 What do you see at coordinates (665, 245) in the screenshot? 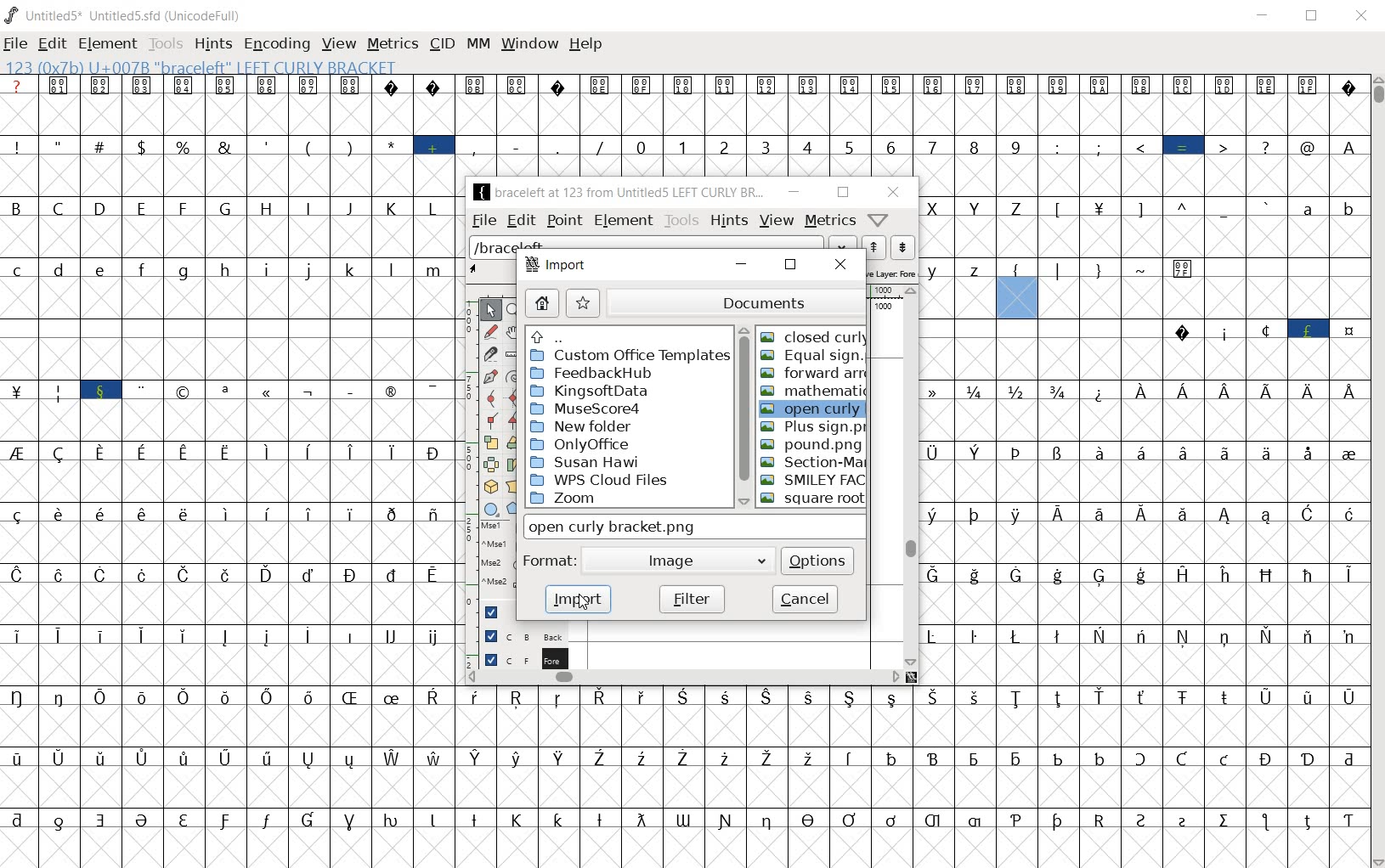
I see `load word list` at bounding box center [665, 245].